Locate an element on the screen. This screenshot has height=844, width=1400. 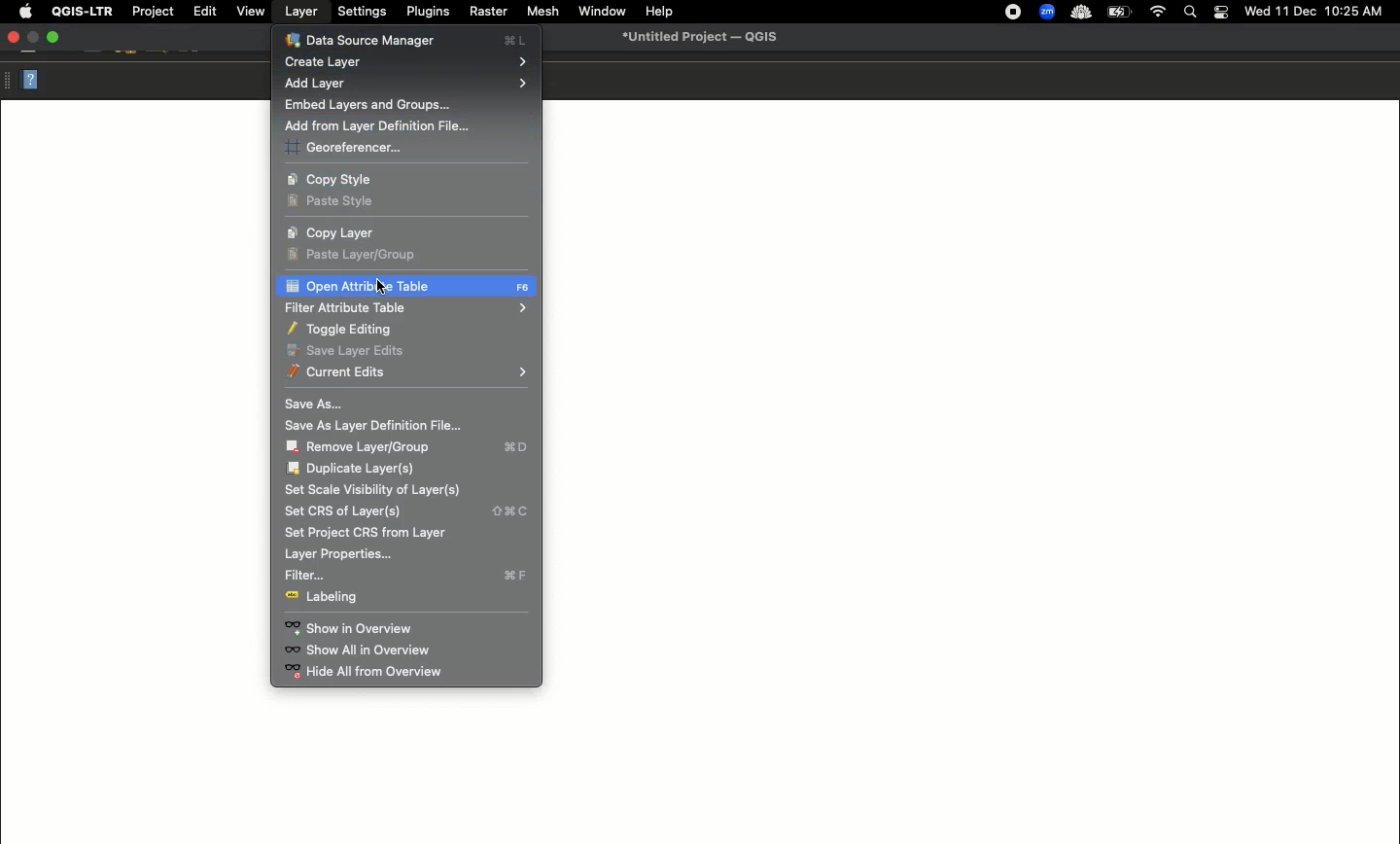
Set scale visibility of layer is located at coordinates (375, 490).